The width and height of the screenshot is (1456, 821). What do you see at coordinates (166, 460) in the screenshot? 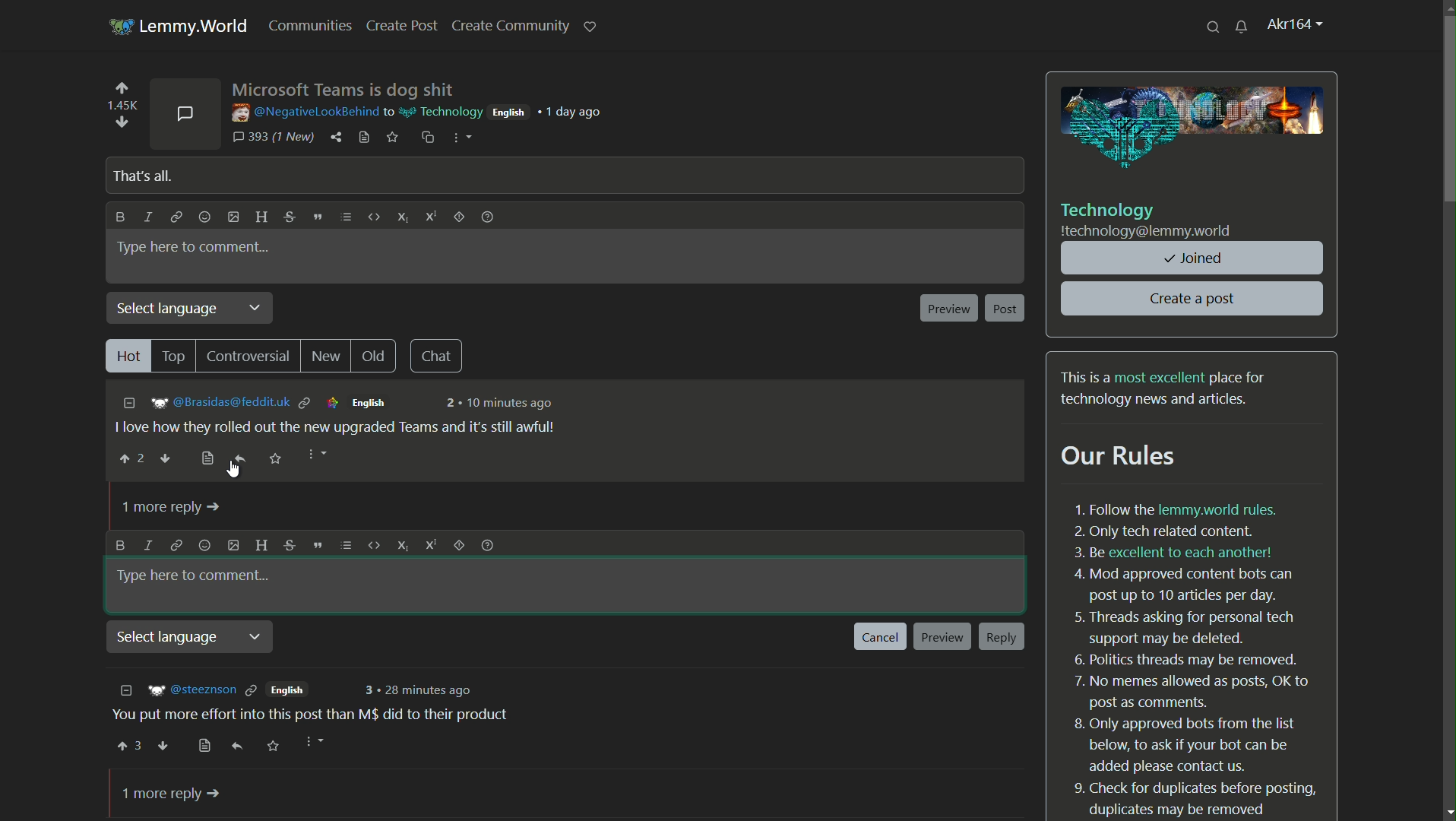
I see `downvote` at bounding box center [166, 460].